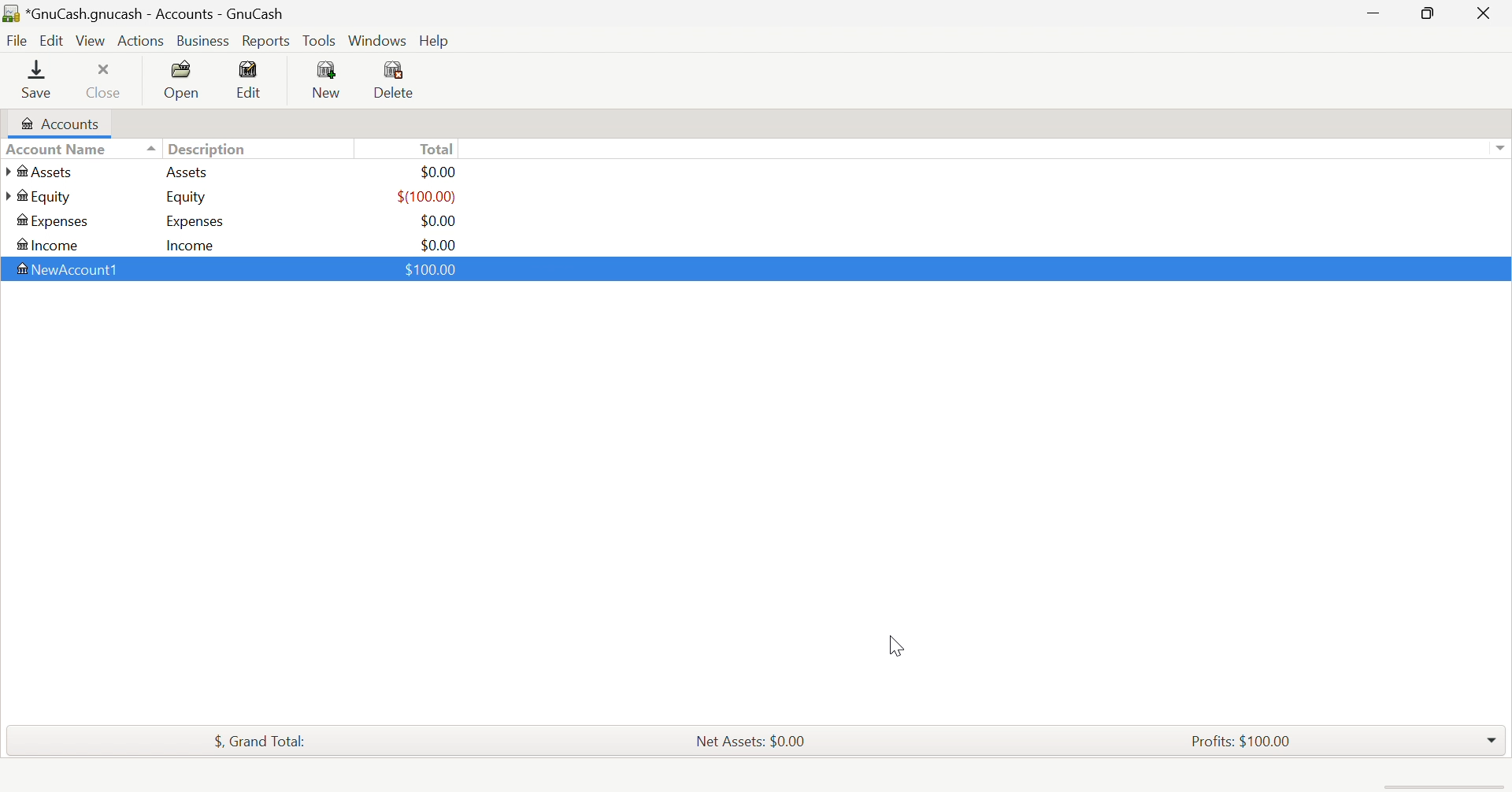  What do you see at coordinates (1373, 13) in the screenshot?
I see `Minimize` at bounding box center [1373, 13].